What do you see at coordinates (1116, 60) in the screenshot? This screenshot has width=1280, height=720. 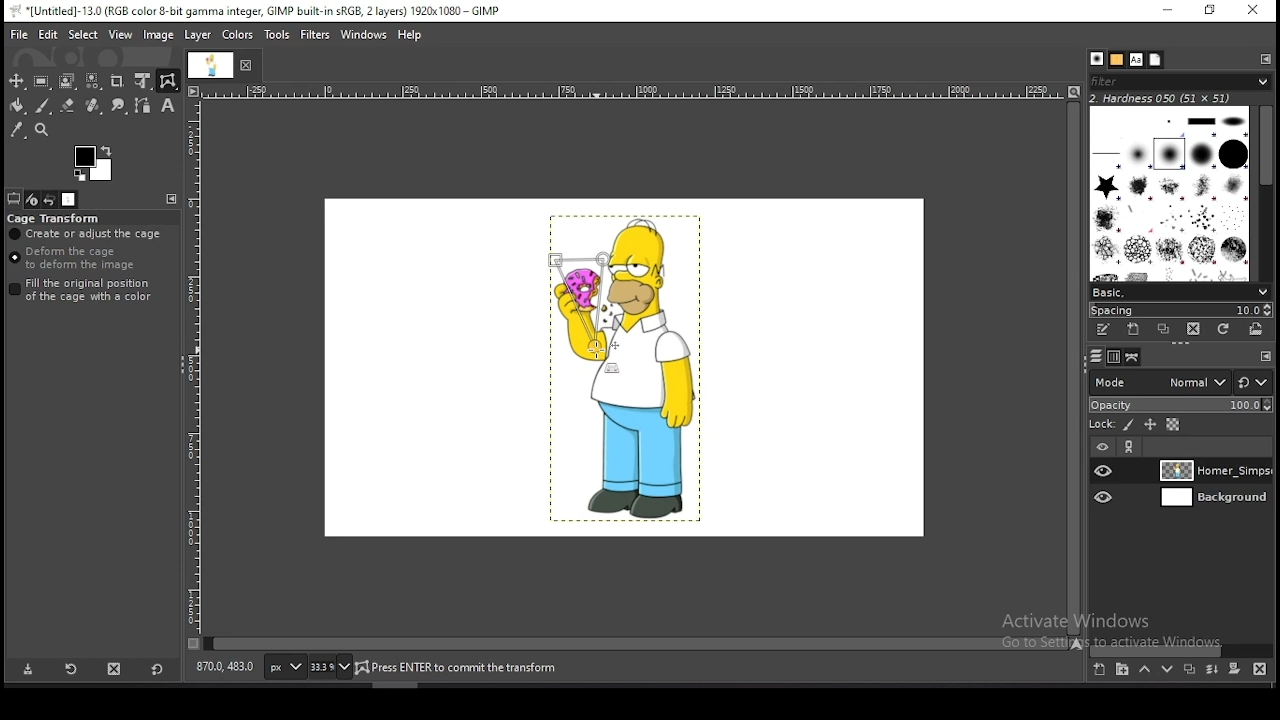 I see `patterns` at bounding box center [1116, 60].